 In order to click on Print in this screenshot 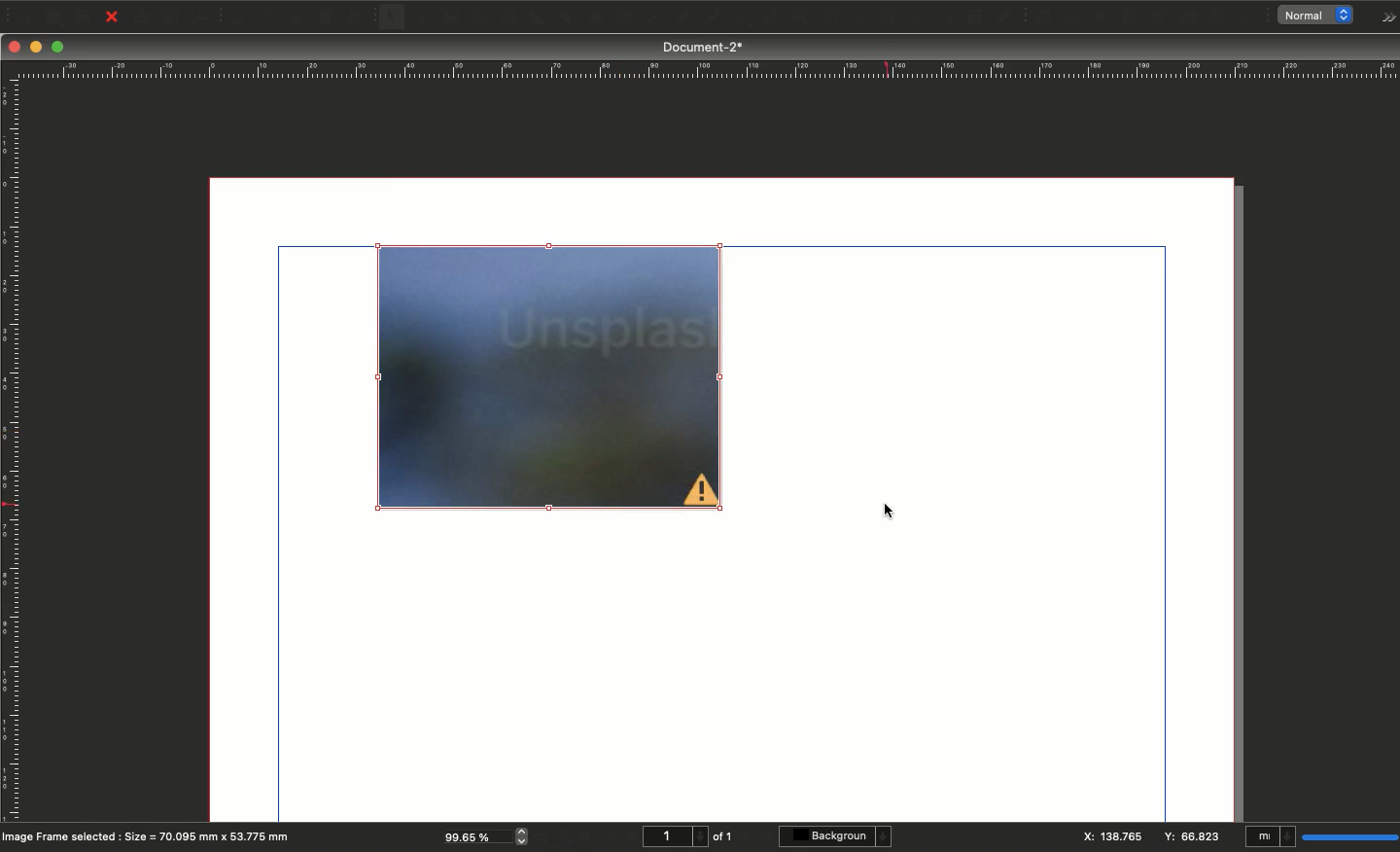, I will do `click(142, 18)`.